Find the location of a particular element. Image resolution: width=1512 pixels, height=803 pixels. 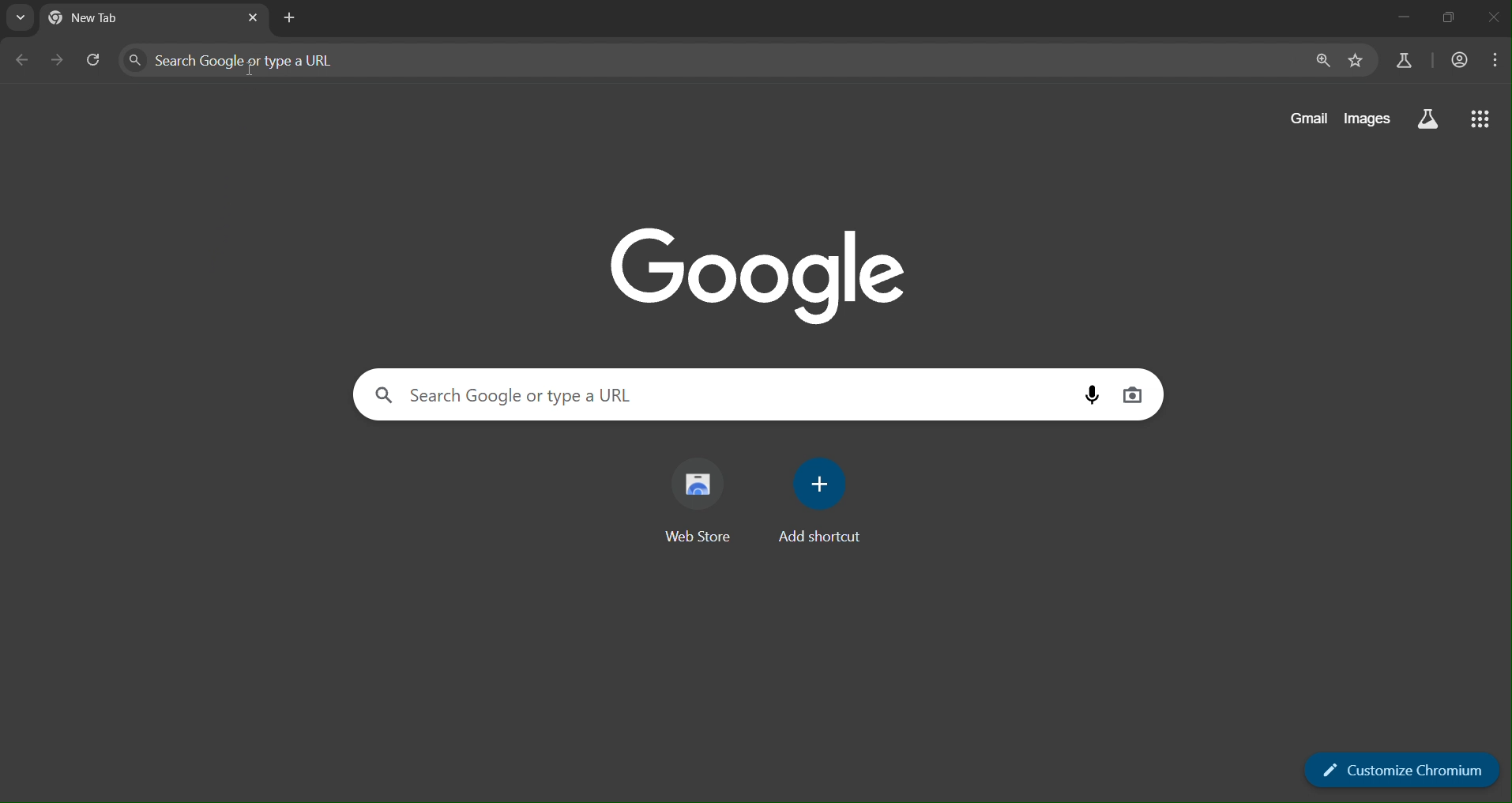

bookmark page is located at coordinates (1358, 61).